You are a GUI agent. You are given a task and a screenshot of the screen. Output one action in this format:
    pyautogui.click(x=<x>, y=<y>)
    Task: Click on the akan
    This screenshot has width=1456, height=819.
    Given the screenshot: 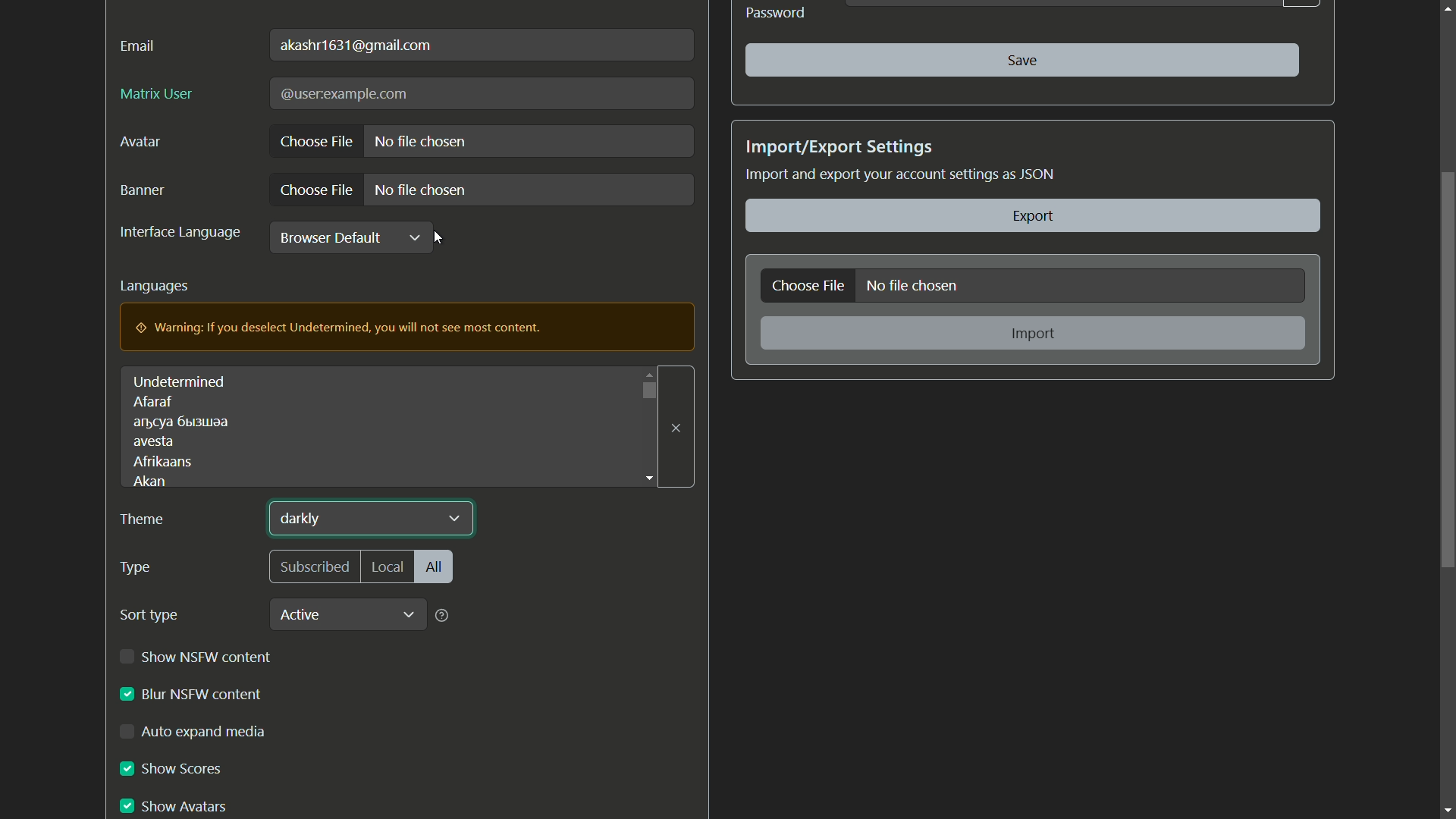 What is the action you would take?
    pyautogui.click(x=147, y=482)
    